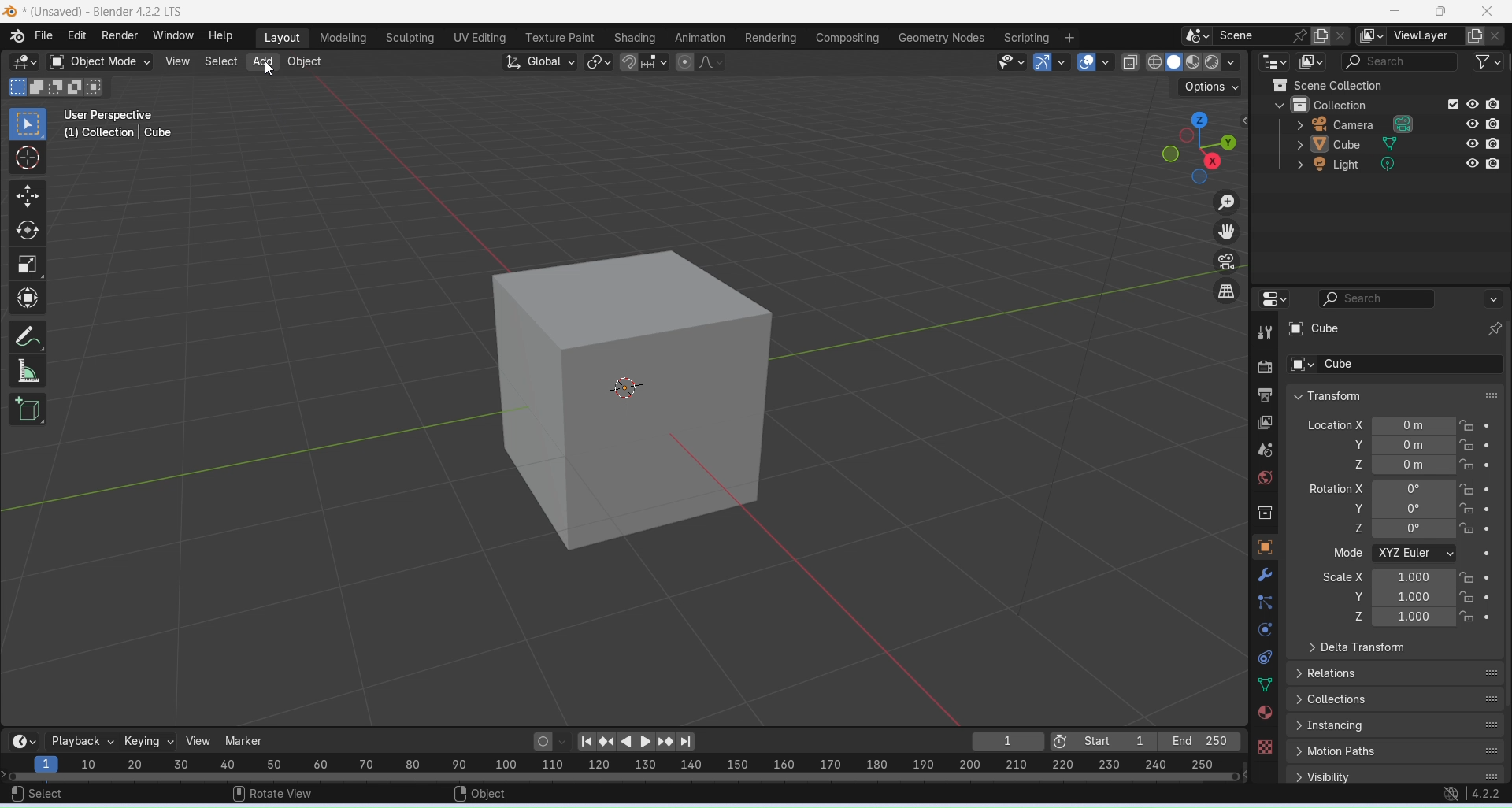  Describe the element at coordinates (1355, 445) in the screenshot. I see `Location Y` at that location.